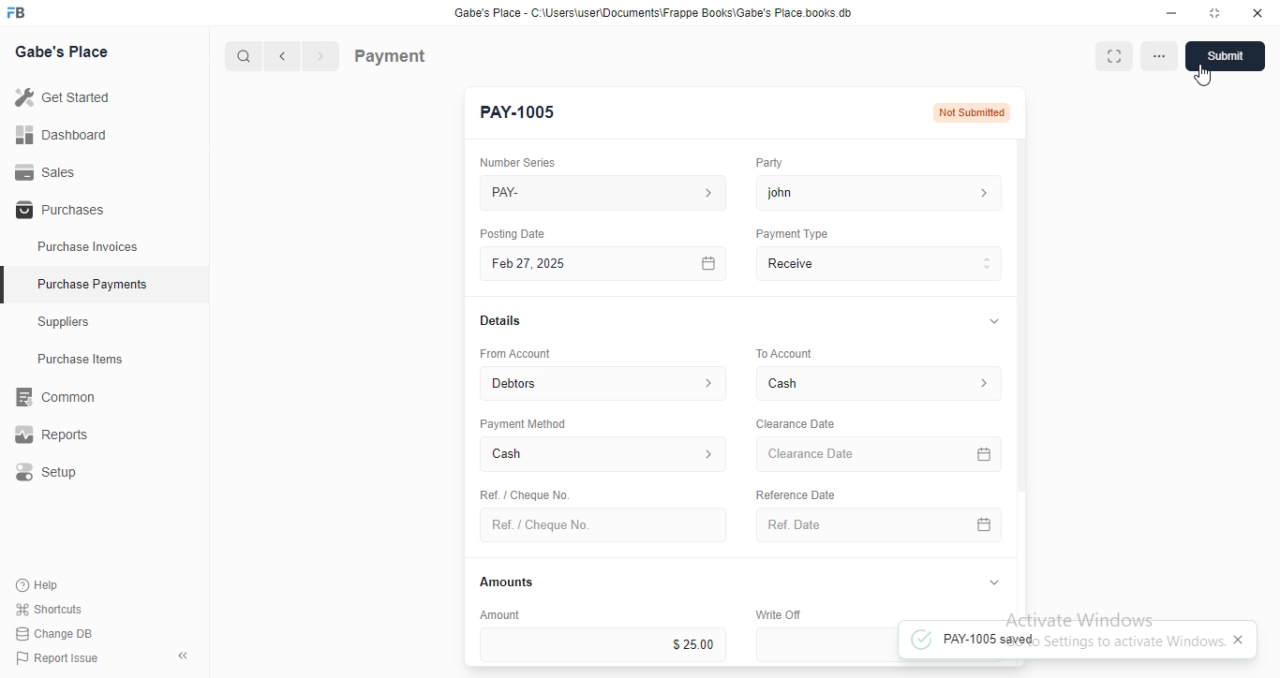 The image size is (1280, 678). What do you see at coordinates (510, 162) in the screenshot?
I see `Number Series` at bounding box center [510, 162].